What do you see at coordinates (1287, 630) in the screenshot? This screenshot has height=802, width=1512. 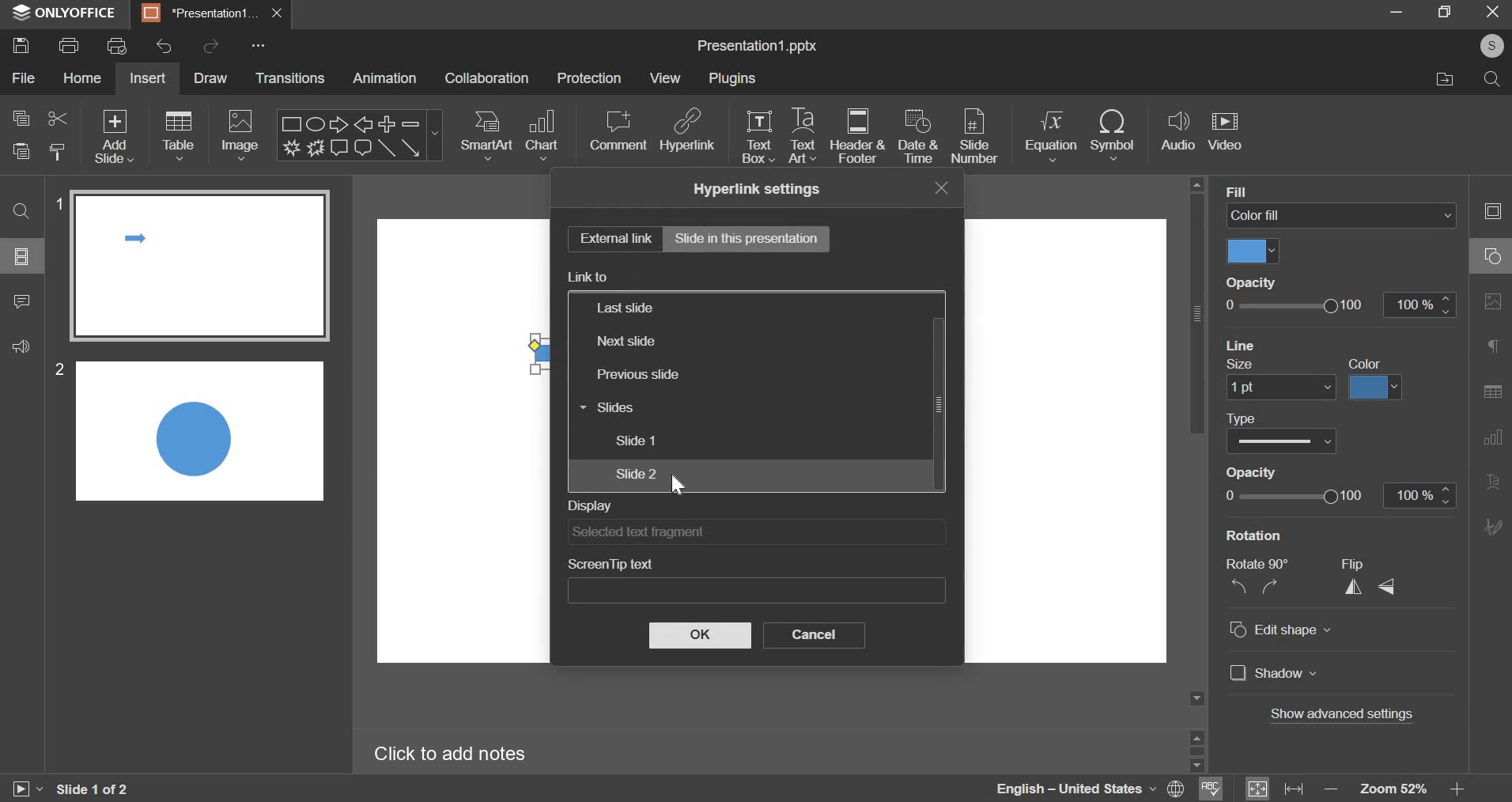 I see `edit shape` at bounding box center [1287, 630].